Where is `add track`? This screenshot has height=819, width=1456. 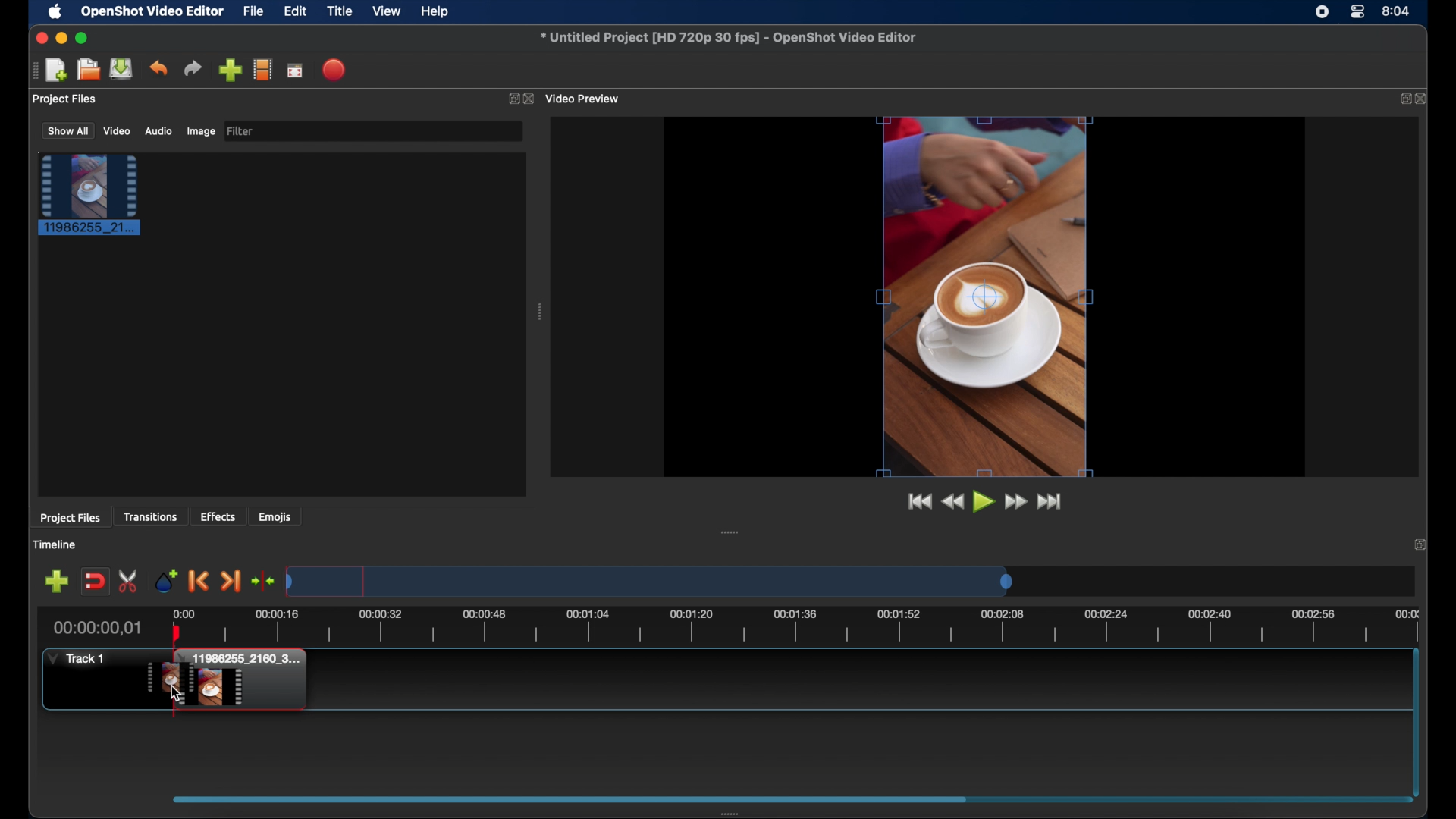 add track is located at coordinates (56, 581).